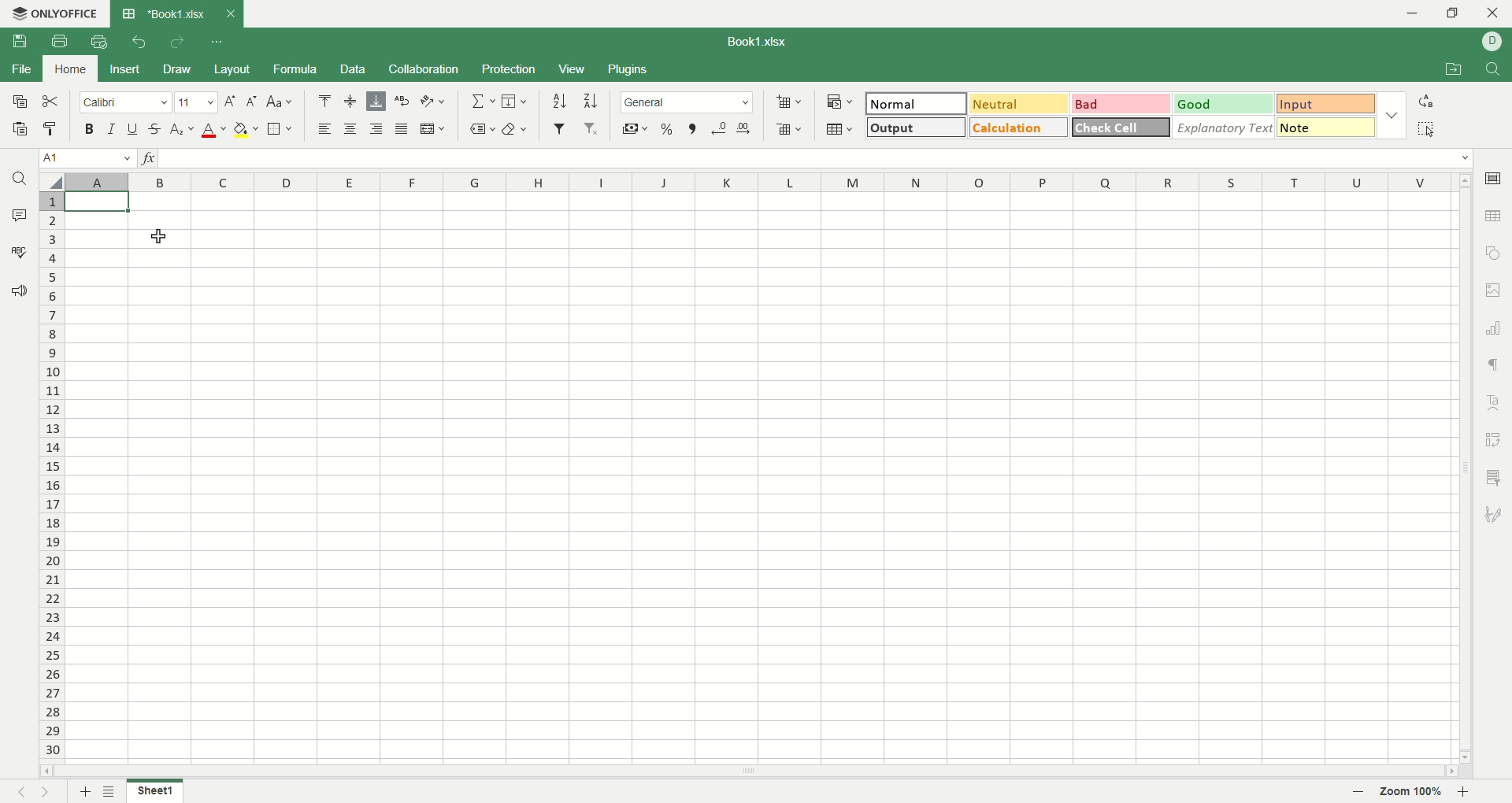 Image resolution: width=1512 pixels, height=803 pixels. What do you see at coordinates (666, 130) in the screenshot?
I see `percent style` at bounding box center [666, 130].